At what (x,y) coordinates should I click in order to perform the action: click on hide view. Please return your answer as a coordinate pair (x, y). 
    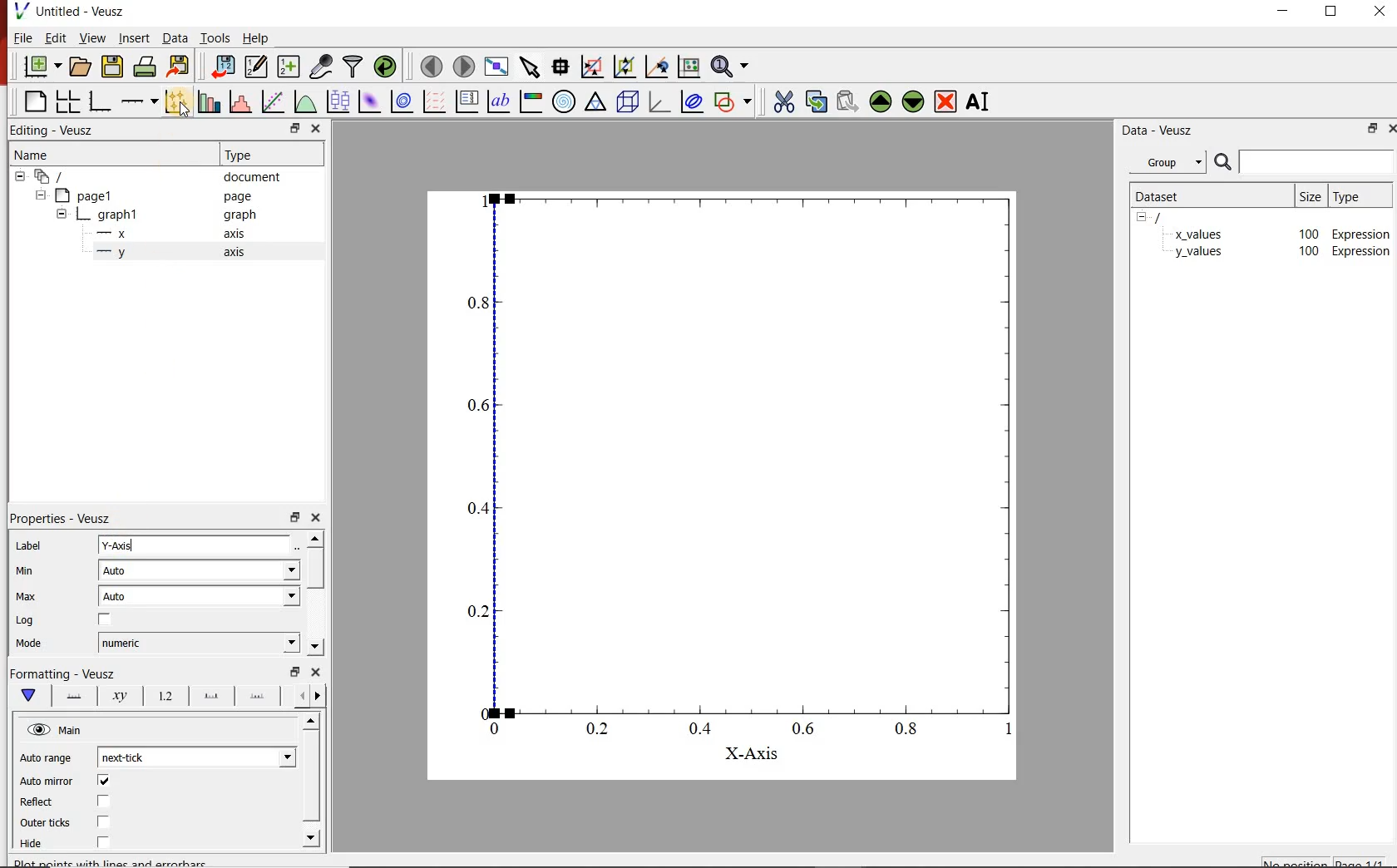
    Looking at the image, I should click on (57, 728).